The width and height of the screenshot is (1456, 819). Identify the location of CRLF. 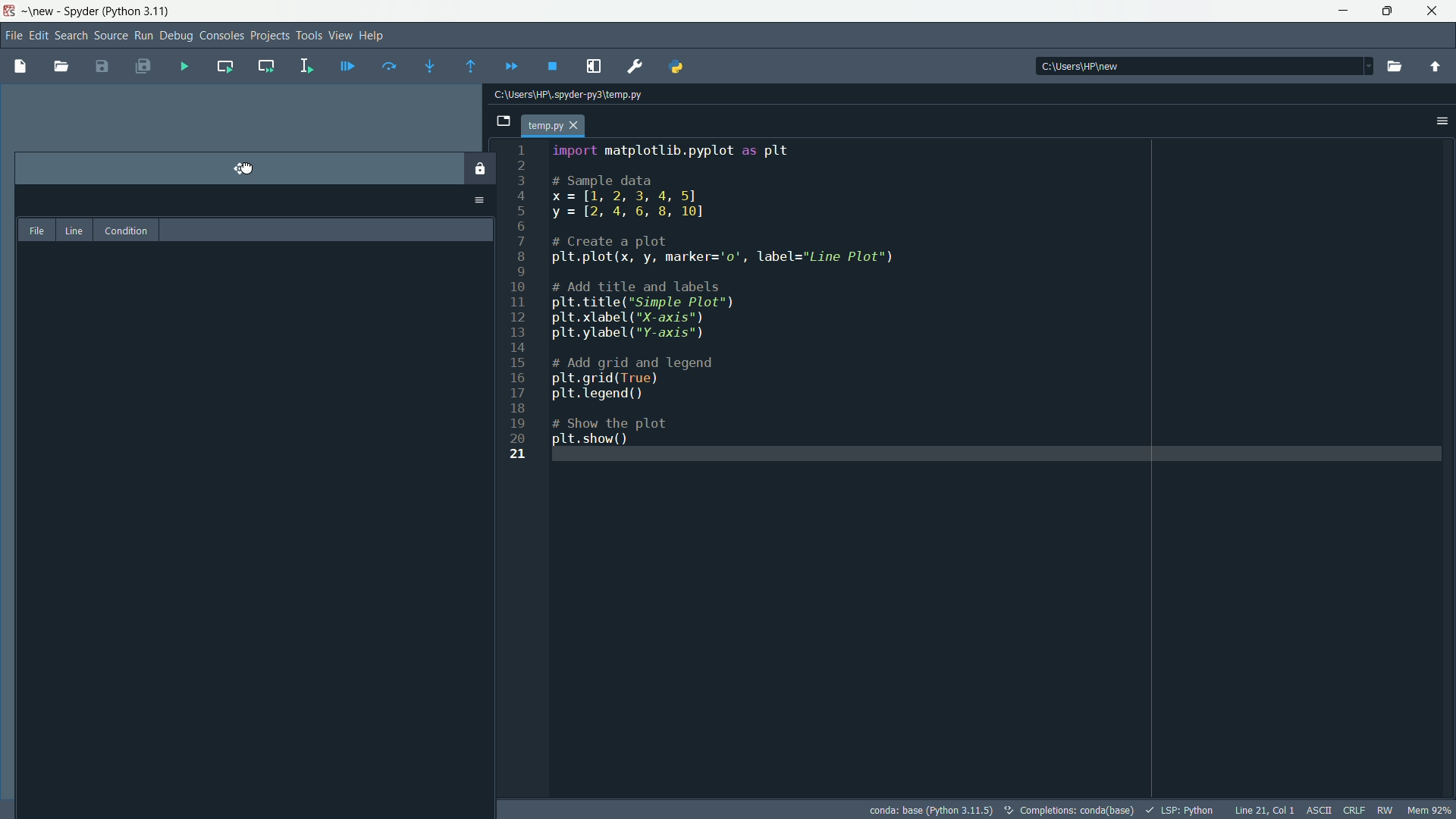
(1354, 811).